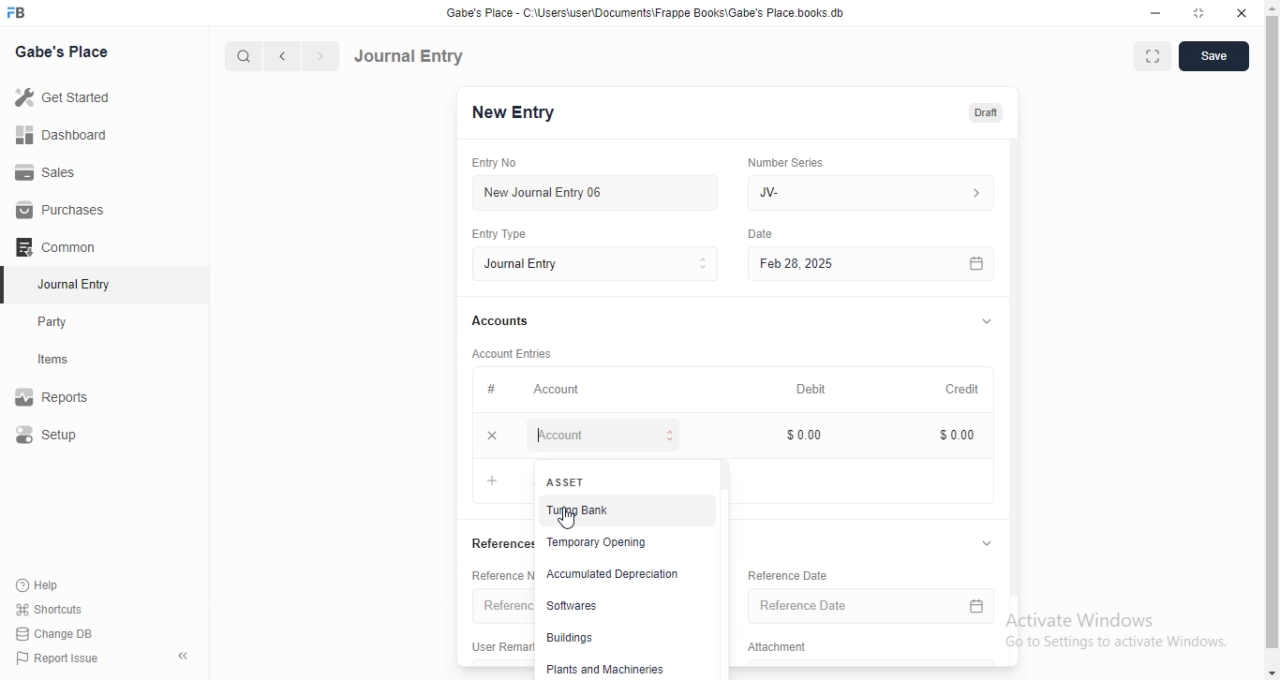 The image size is (1280, 680). I want to click on Attachment, so click(788, 648).